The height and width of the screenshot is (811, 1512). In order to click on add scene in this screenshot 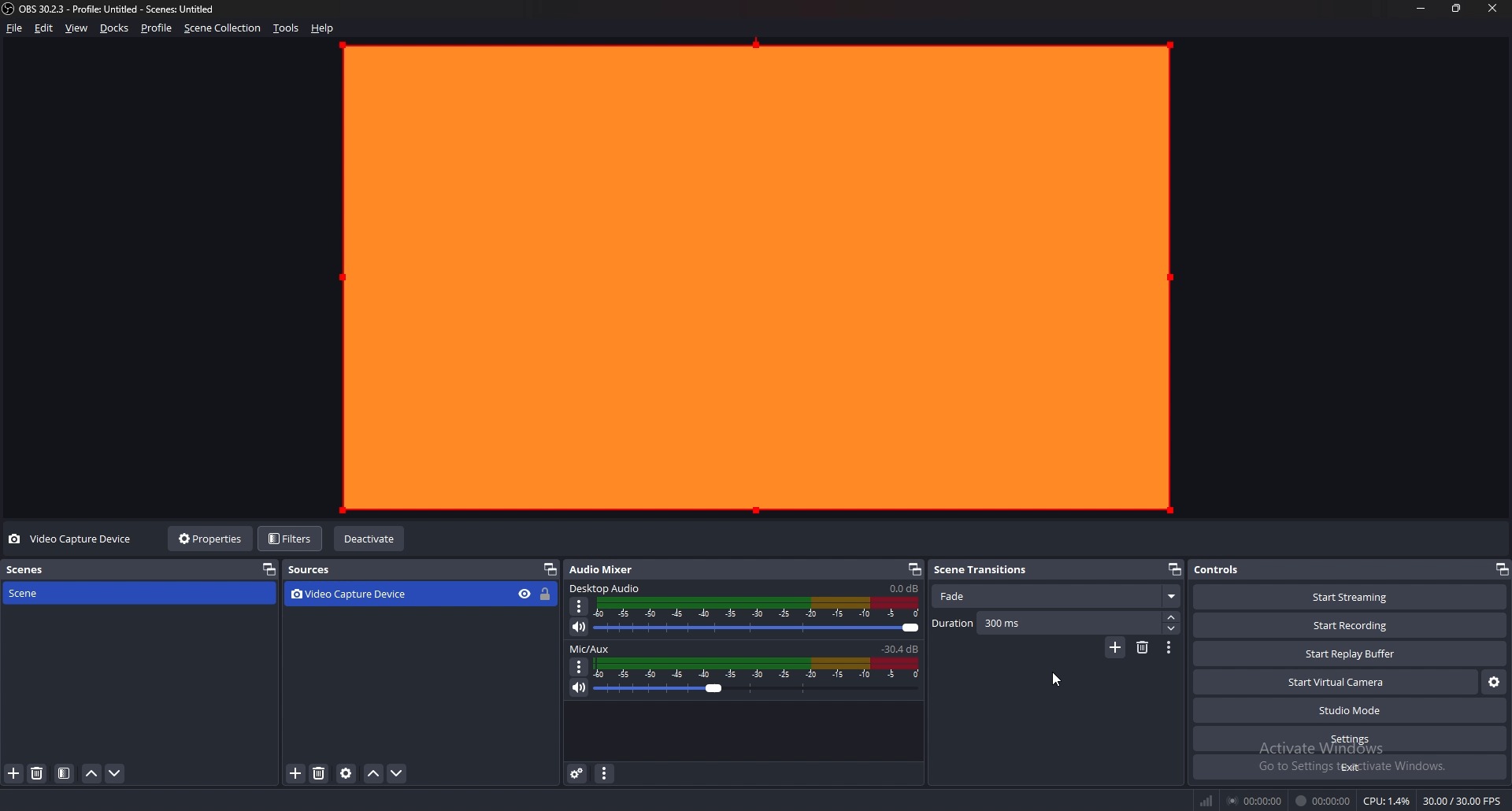, I will do `click(14, 774)`.